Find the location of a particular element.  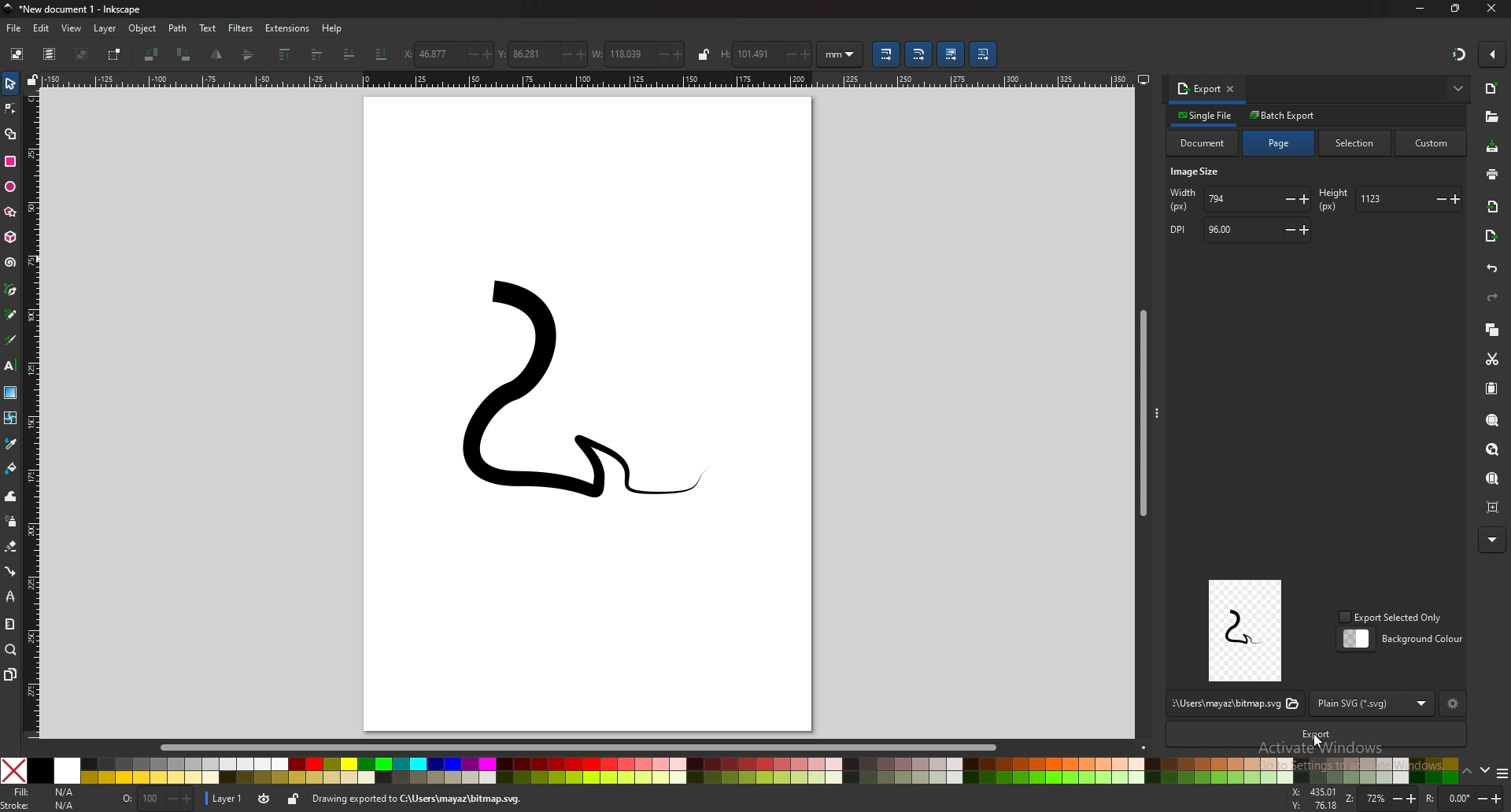

flip vetically is located at coordinates (218, 54).